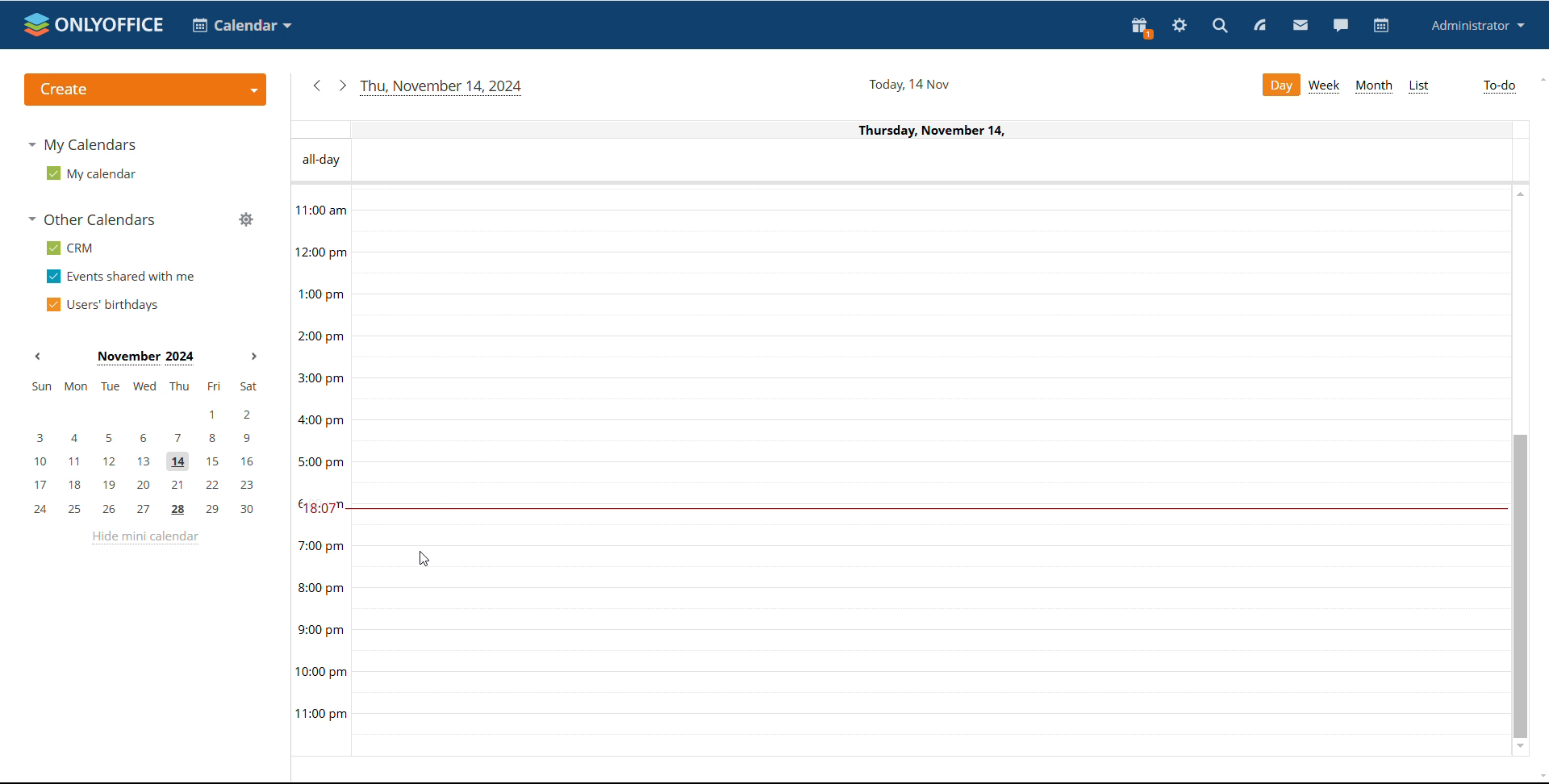 The width and height of the screenshot is (1549, 784). What do you see at coordinates (145, 90) in the screenshot?
I see `create` at bounding box center [145, 90].